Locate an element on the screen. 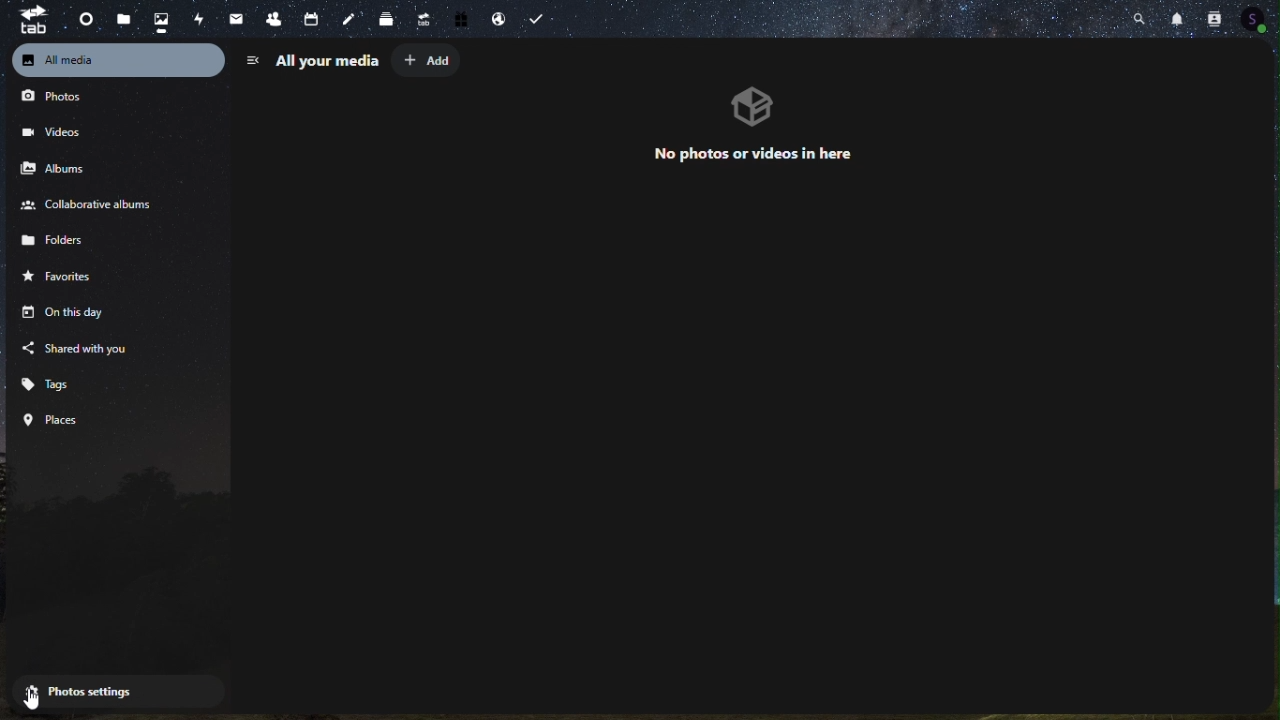 This screenshot has height=720, width=1280. Shared with you is located at coordinates (78, 347).